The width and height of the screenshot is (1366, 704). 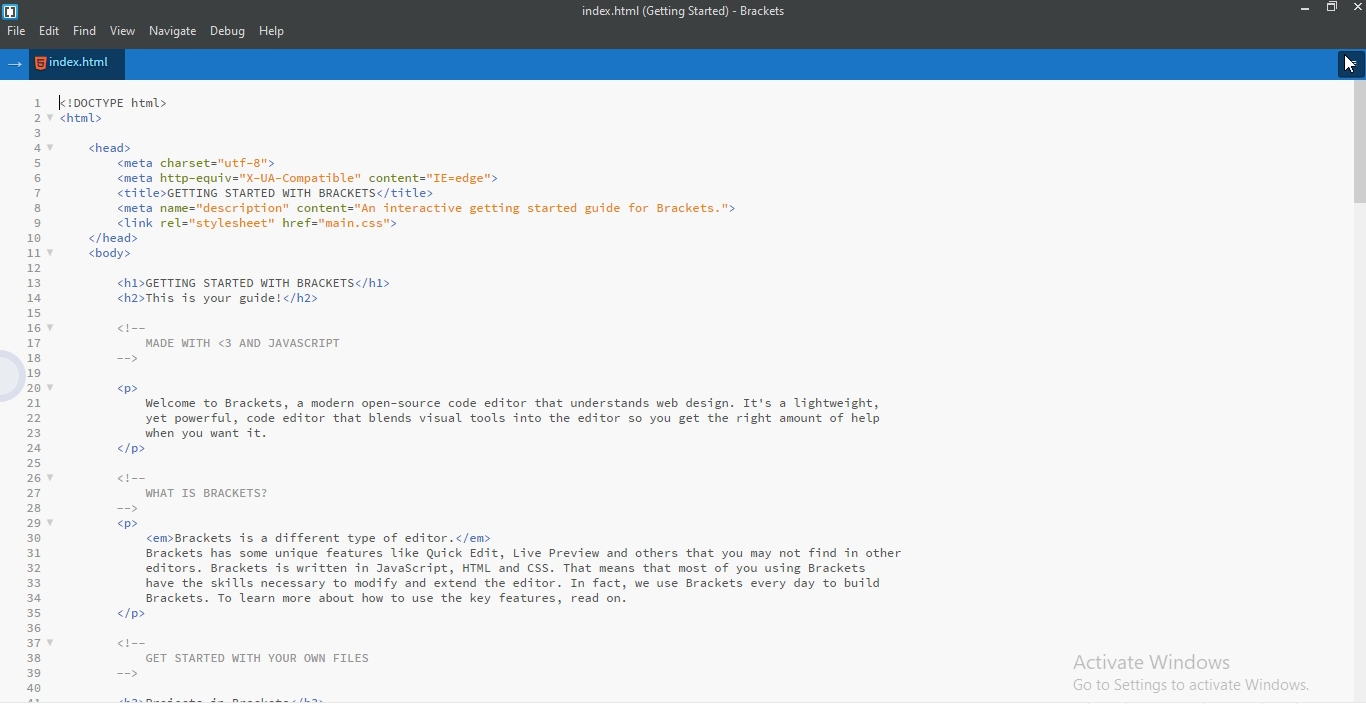 What do you see at coordinates (229, 31) in the screenshot?
I see `Debug` at bounding box center [229, 31].